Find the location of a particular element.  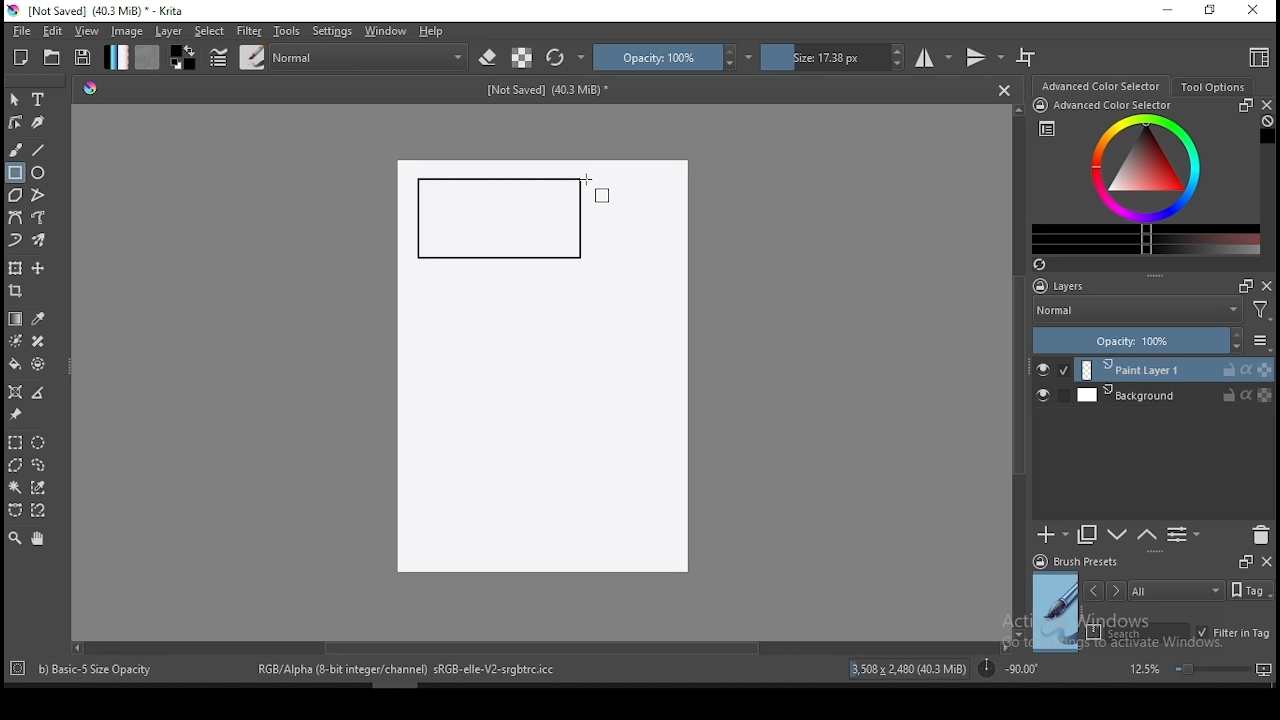

move layer one step down is located at coordinates (1147, 535).